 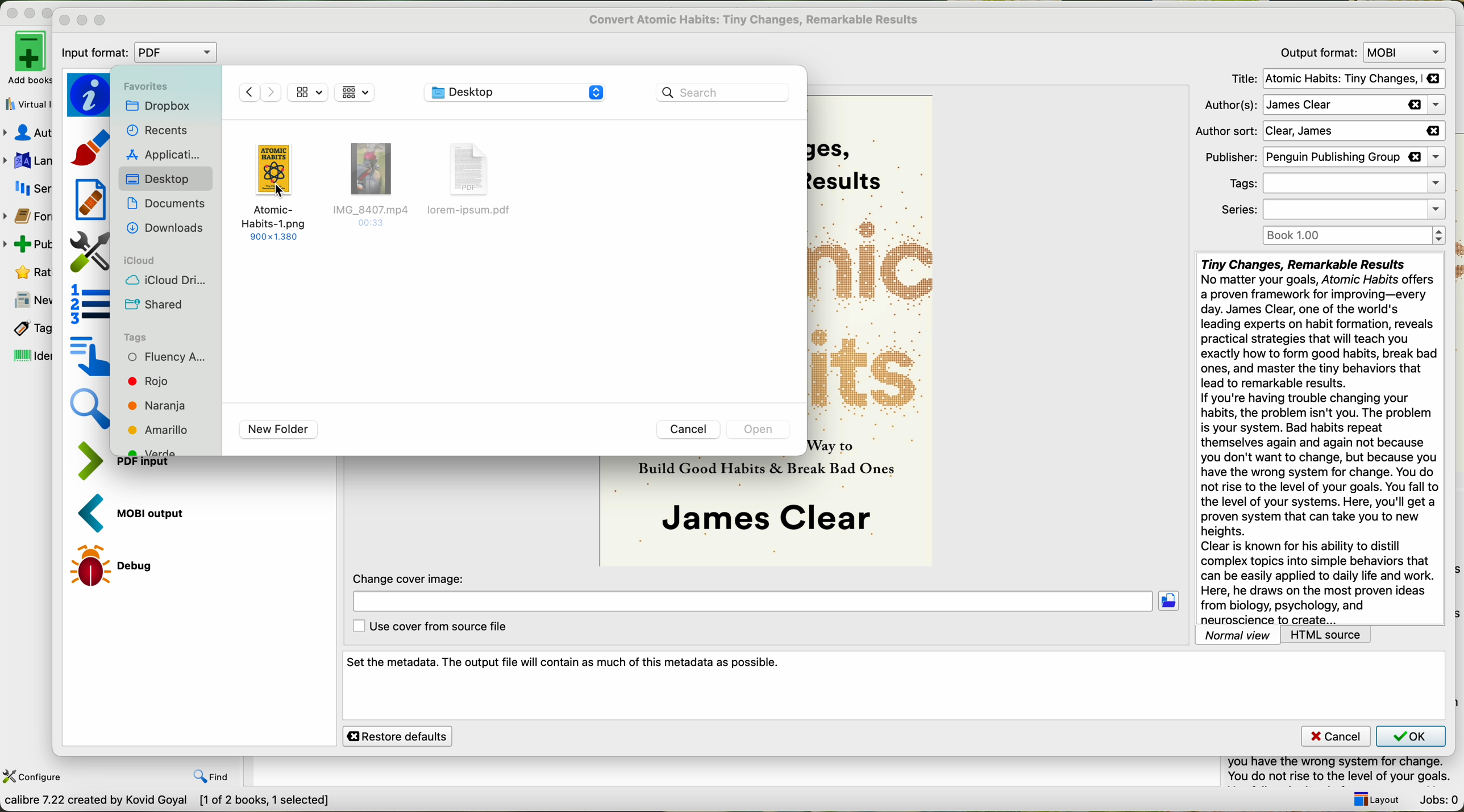 What do you see at coordinates (1438, 801) in the screenshot?
I see `Jobs: 0` at bounding box center [1438, 801].